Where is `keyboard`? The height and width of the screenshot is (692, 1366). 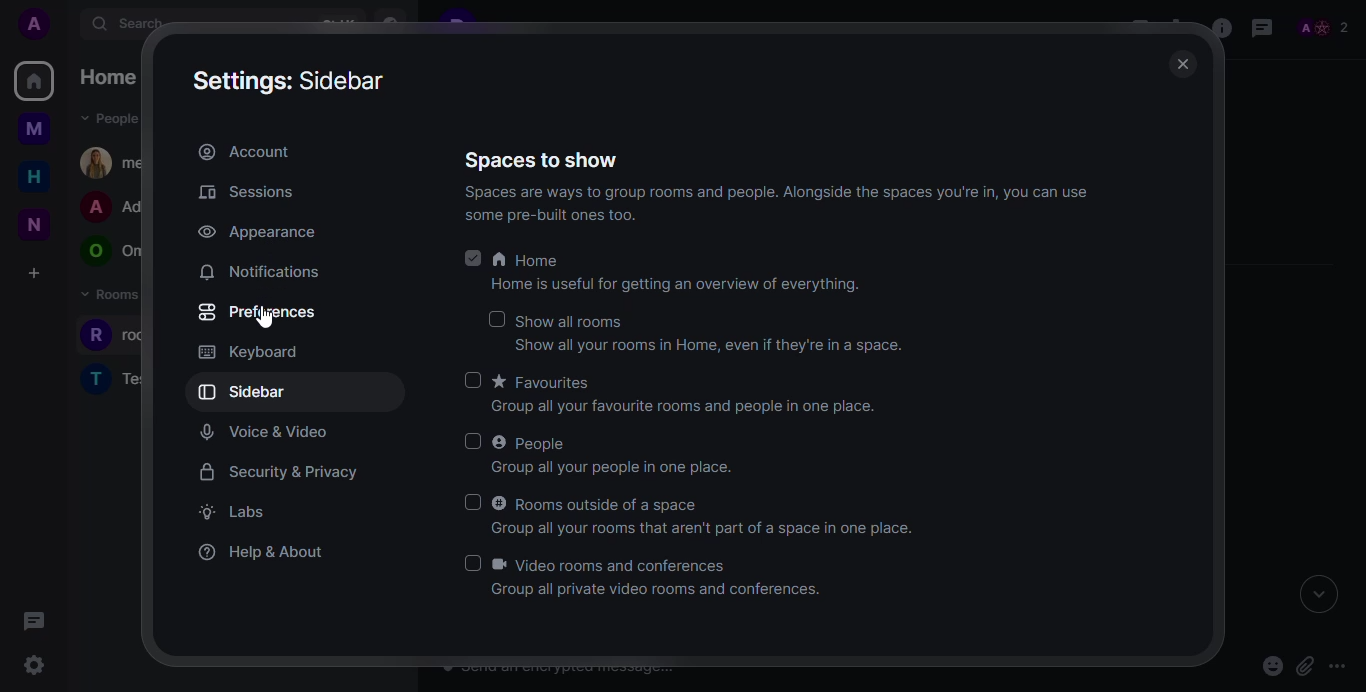 keyboard is located at coordinates (248, 352).